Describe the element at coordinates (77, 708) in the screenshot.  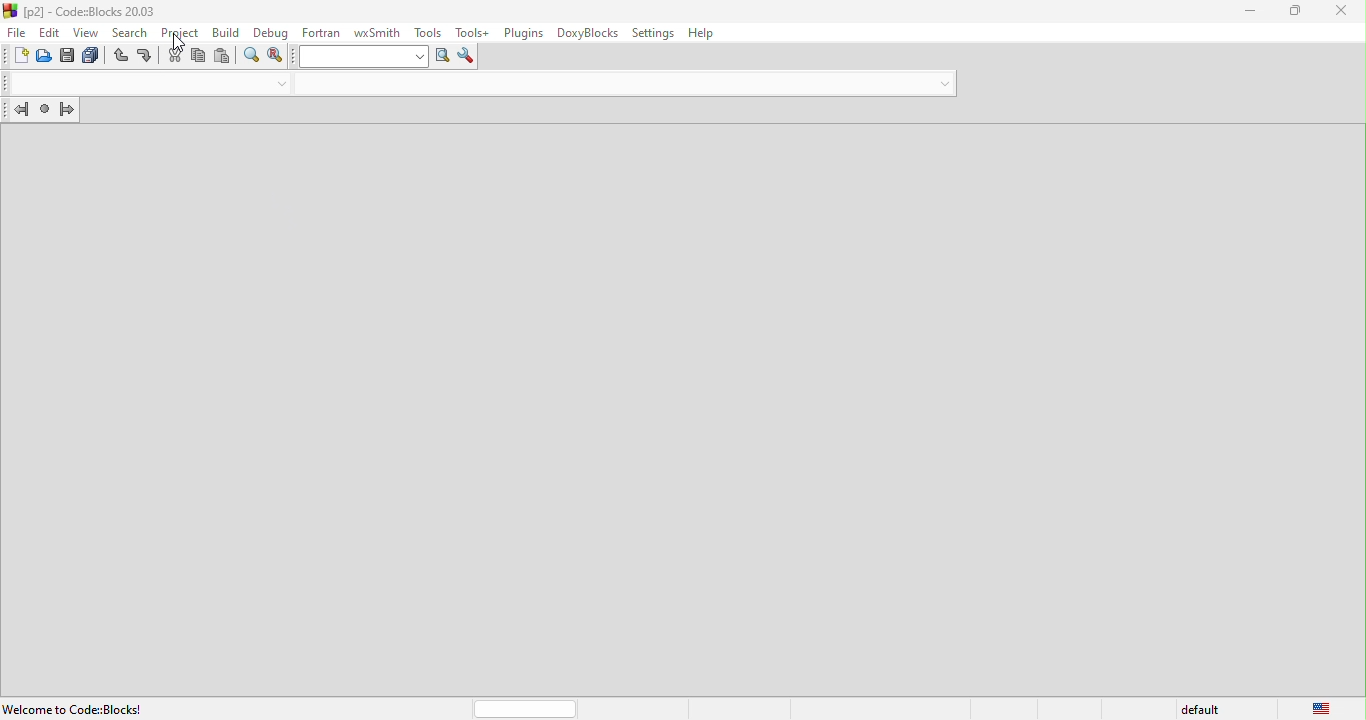
I see `welcome to code blocks` at that location.